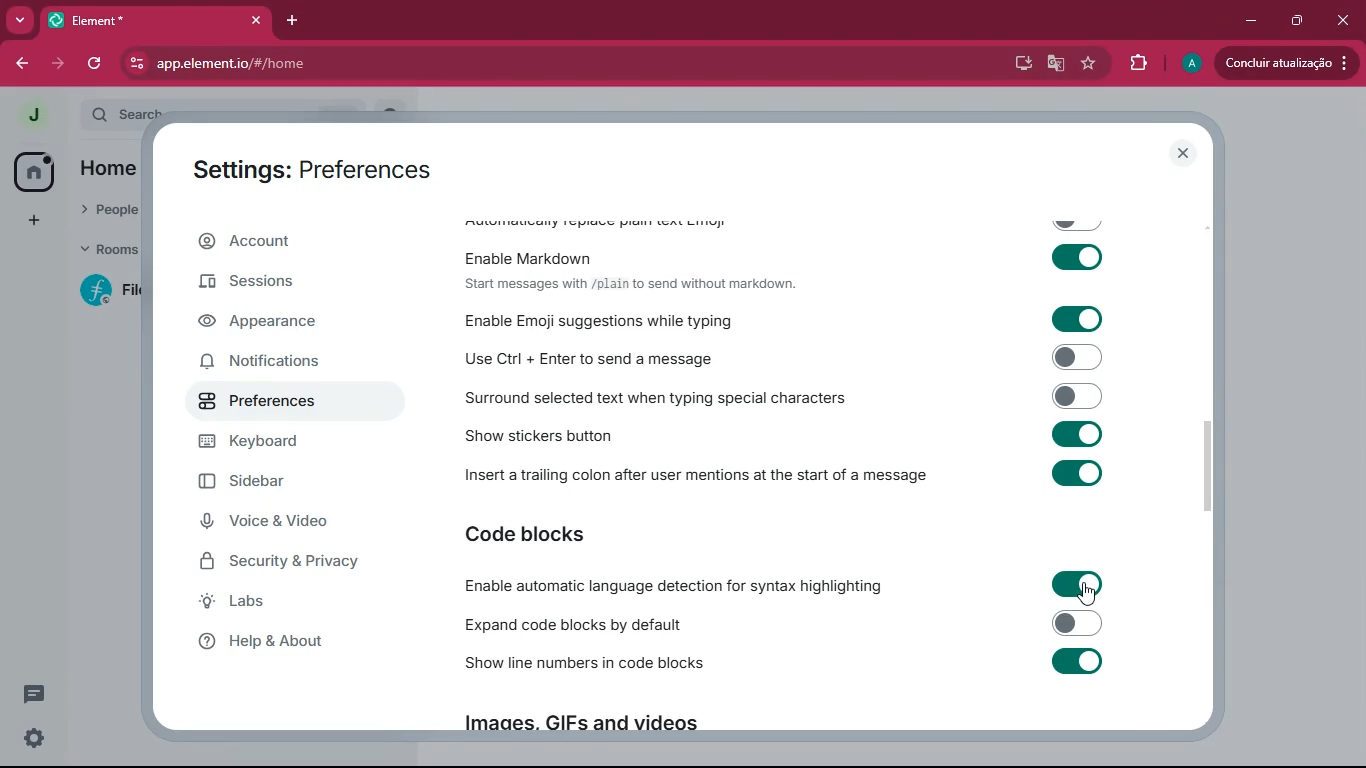  What do you see at coordinates (788, 472) in the screenshot?
I see `Insert a trailing colon after user mentions at the start of a message` at bounding box center [788, 472].